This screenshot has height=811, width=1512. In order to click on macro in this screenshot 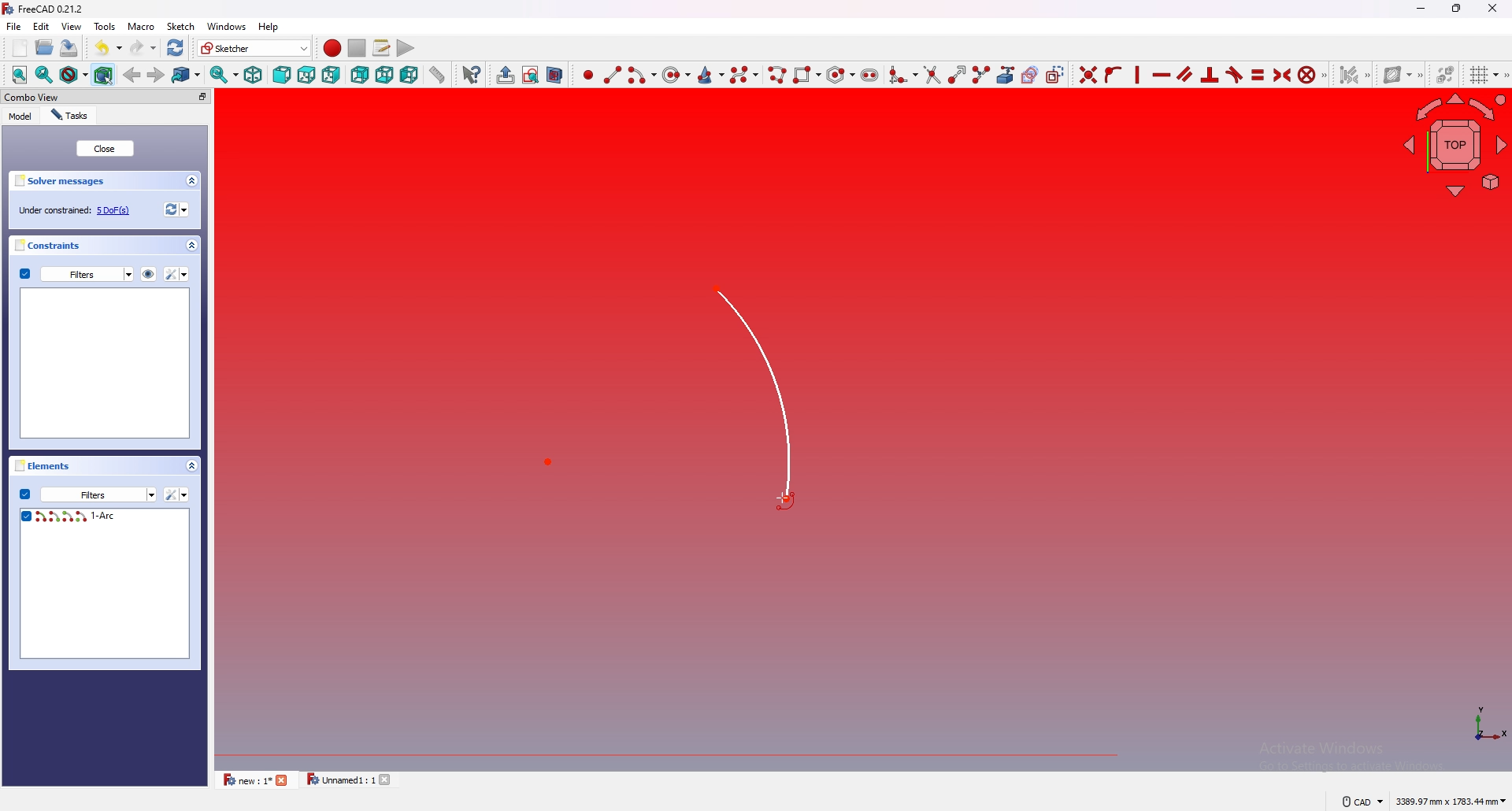, I will do `click(140, 25)`.